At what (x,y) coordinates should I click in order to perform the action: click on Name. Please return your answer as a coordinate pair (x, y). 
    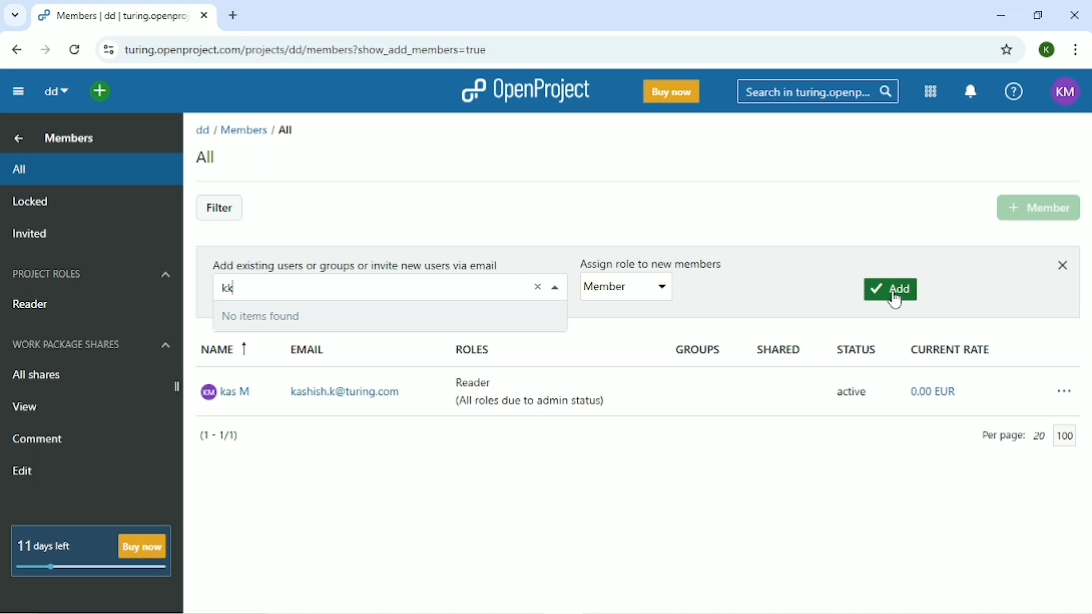
    Looking at the image, I should click on (223, 350).